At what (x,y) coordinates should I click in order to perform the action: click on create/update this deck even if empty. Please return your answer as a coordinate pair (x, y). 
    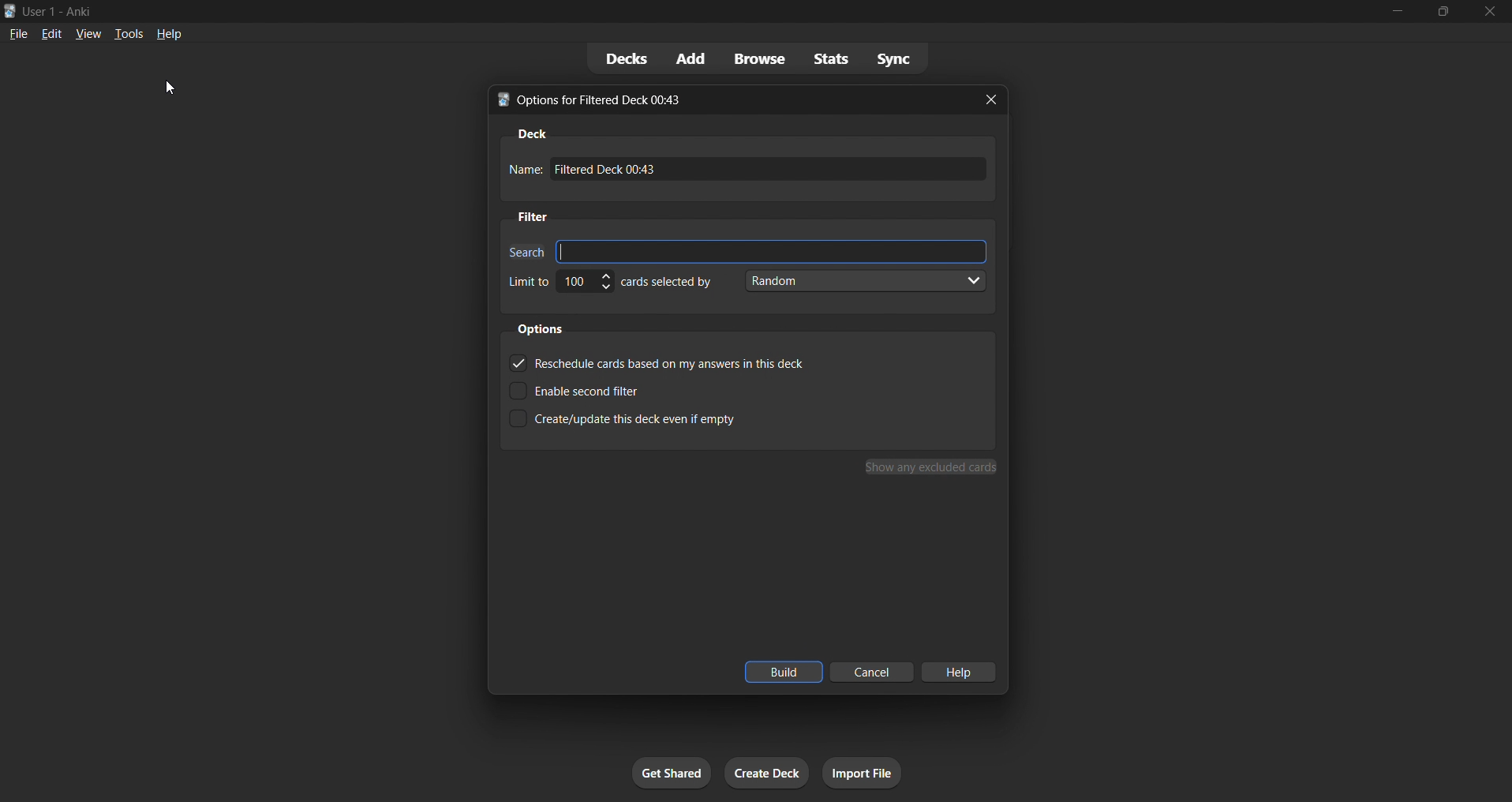
    Looking at the image, I should click on (640, 424).